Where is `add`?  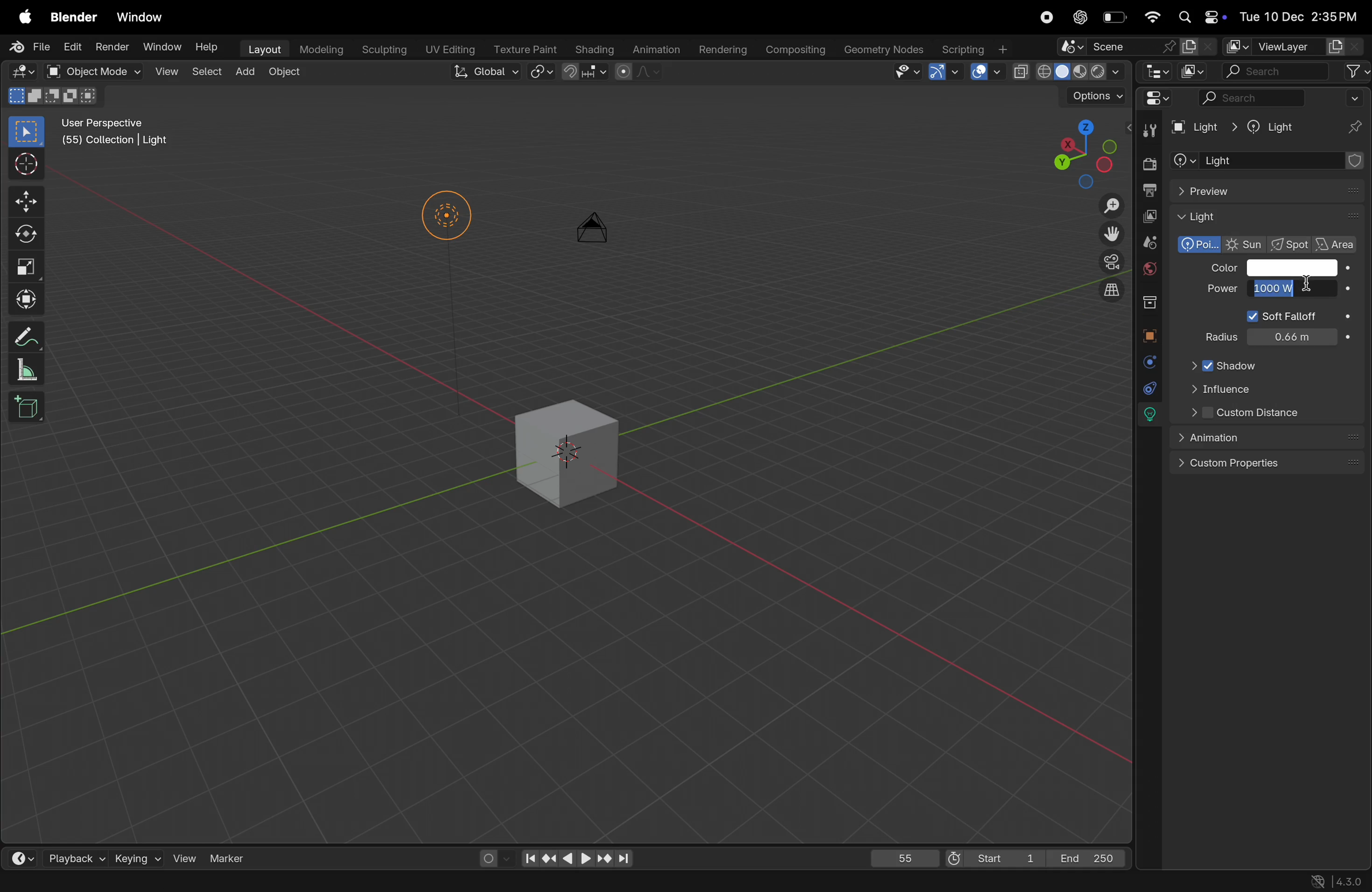 add is located at coordinates (247, 73).